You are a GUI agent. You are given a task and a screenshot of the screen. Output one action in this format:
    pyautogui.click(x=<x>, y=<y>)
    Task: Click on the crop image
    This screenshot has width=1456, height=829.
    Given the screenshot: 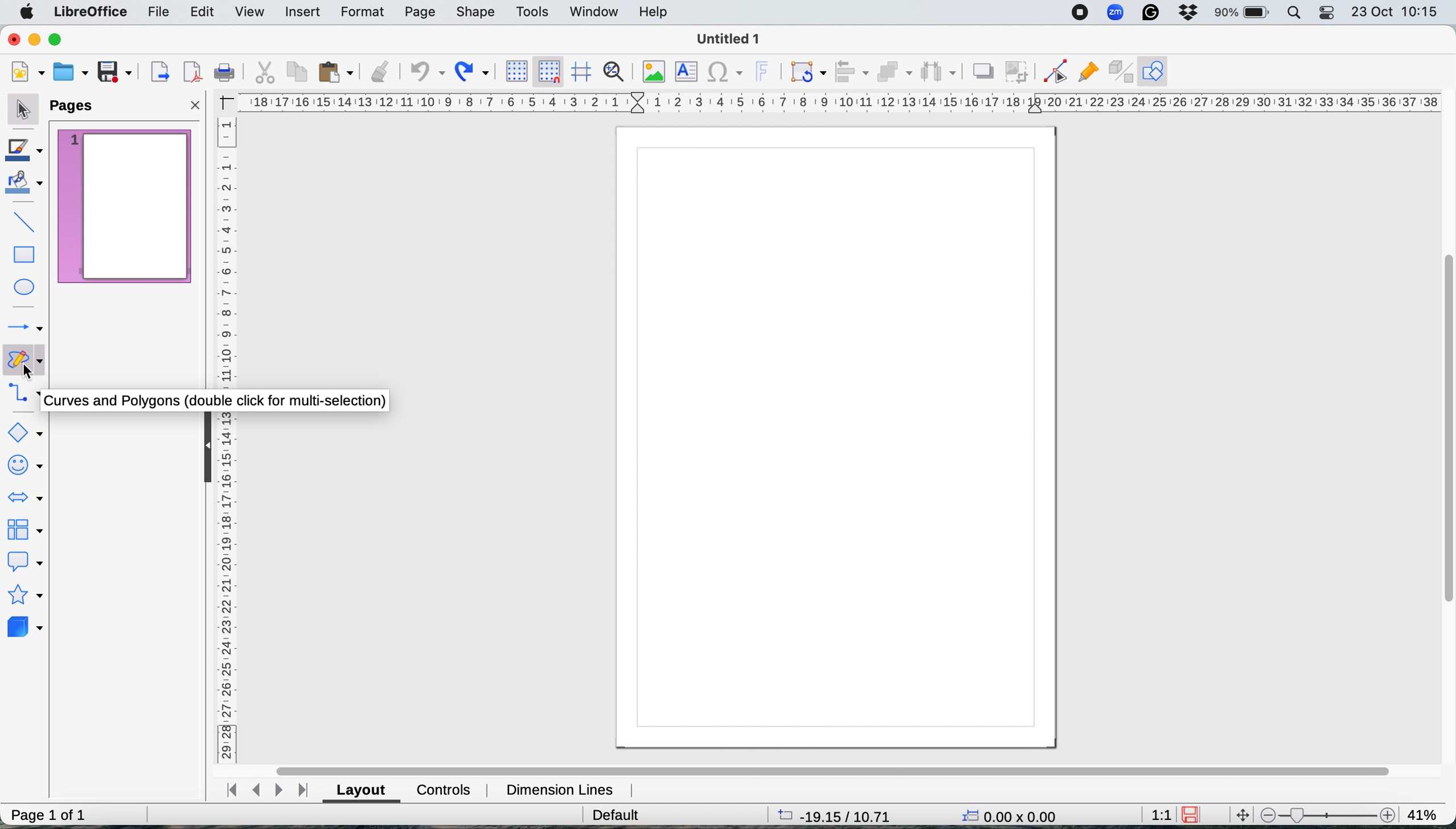 What is the action you would take?
    pyautogui.click(x=1019, y=73)
    